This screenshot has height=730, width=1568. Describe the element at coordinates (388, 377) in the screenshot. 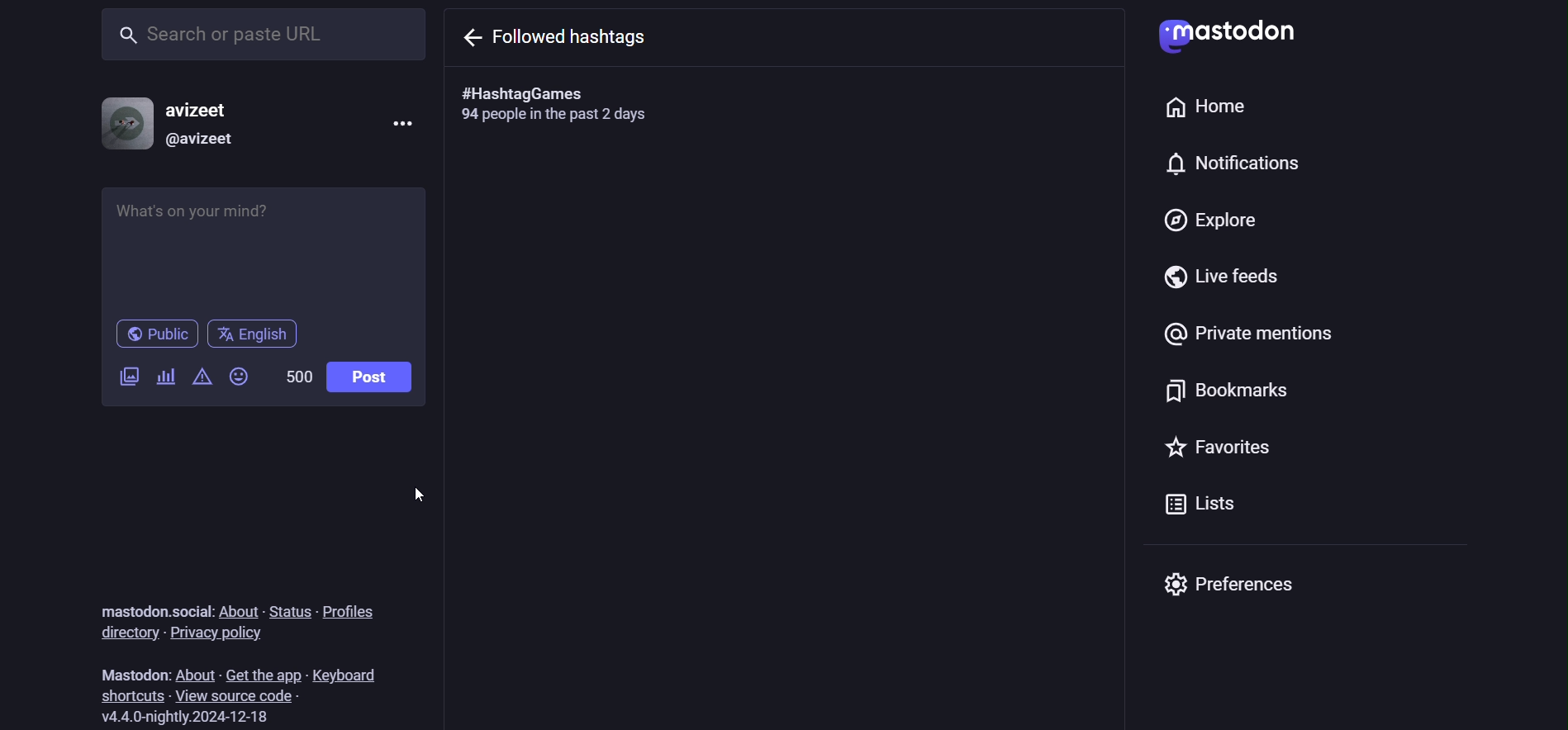

I see `post` at that location.